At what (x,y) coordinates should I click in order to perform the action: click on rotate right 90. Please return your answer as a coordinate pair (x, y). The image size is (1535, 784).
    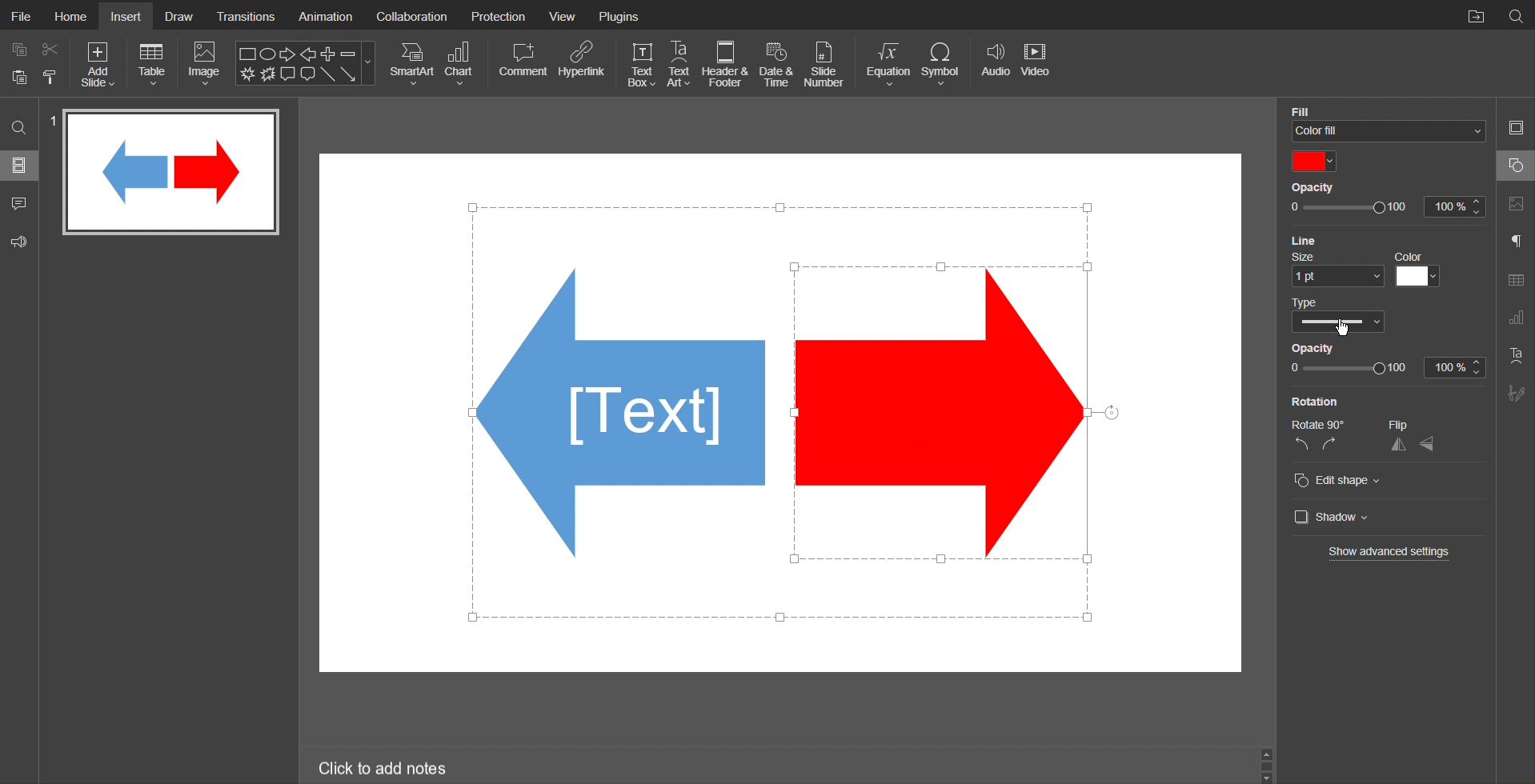
    Looking at the image, I should click on (1332, 446).